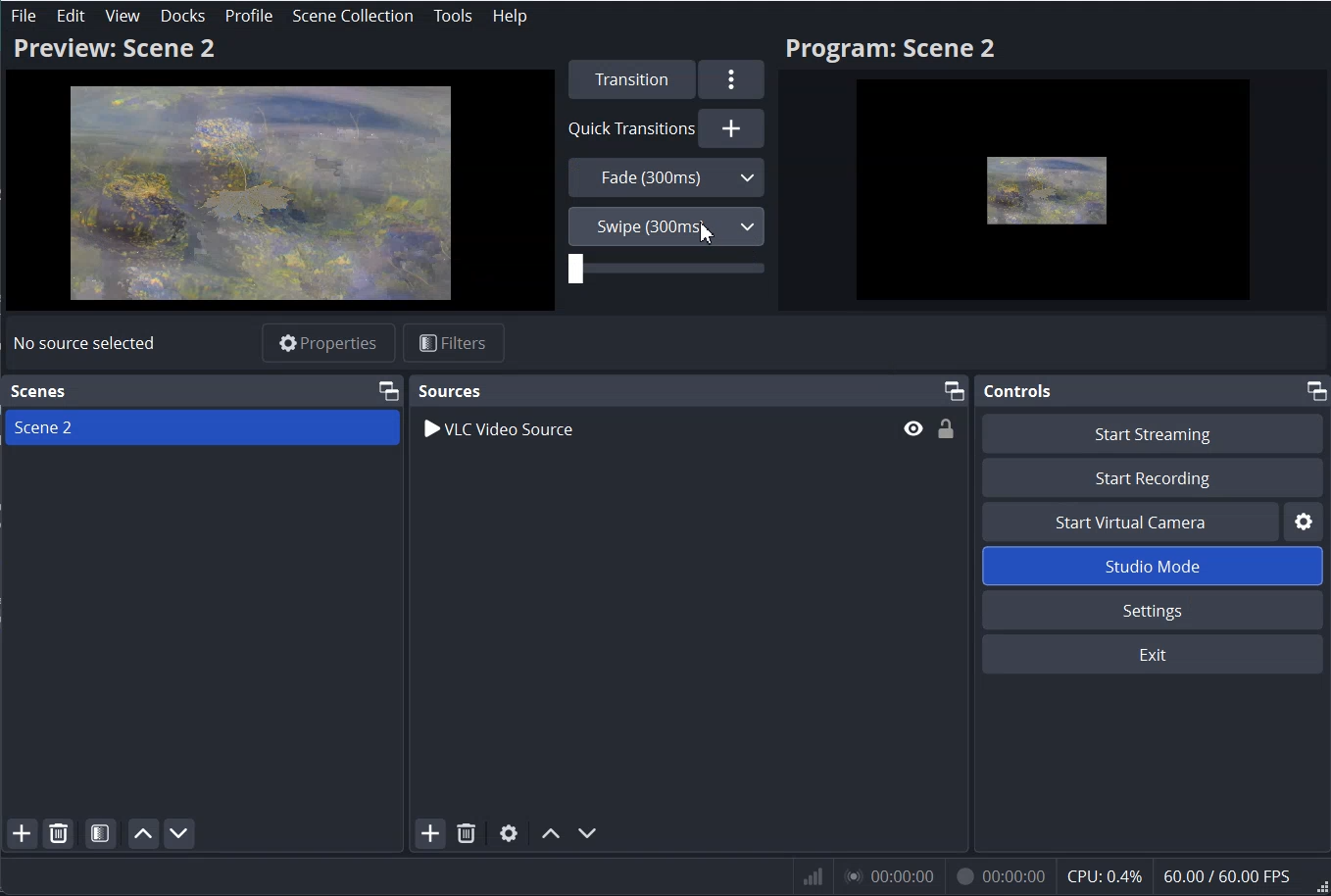 This screenshot has height=896, width=1331. I want to click on Control, so click(1023, 392).